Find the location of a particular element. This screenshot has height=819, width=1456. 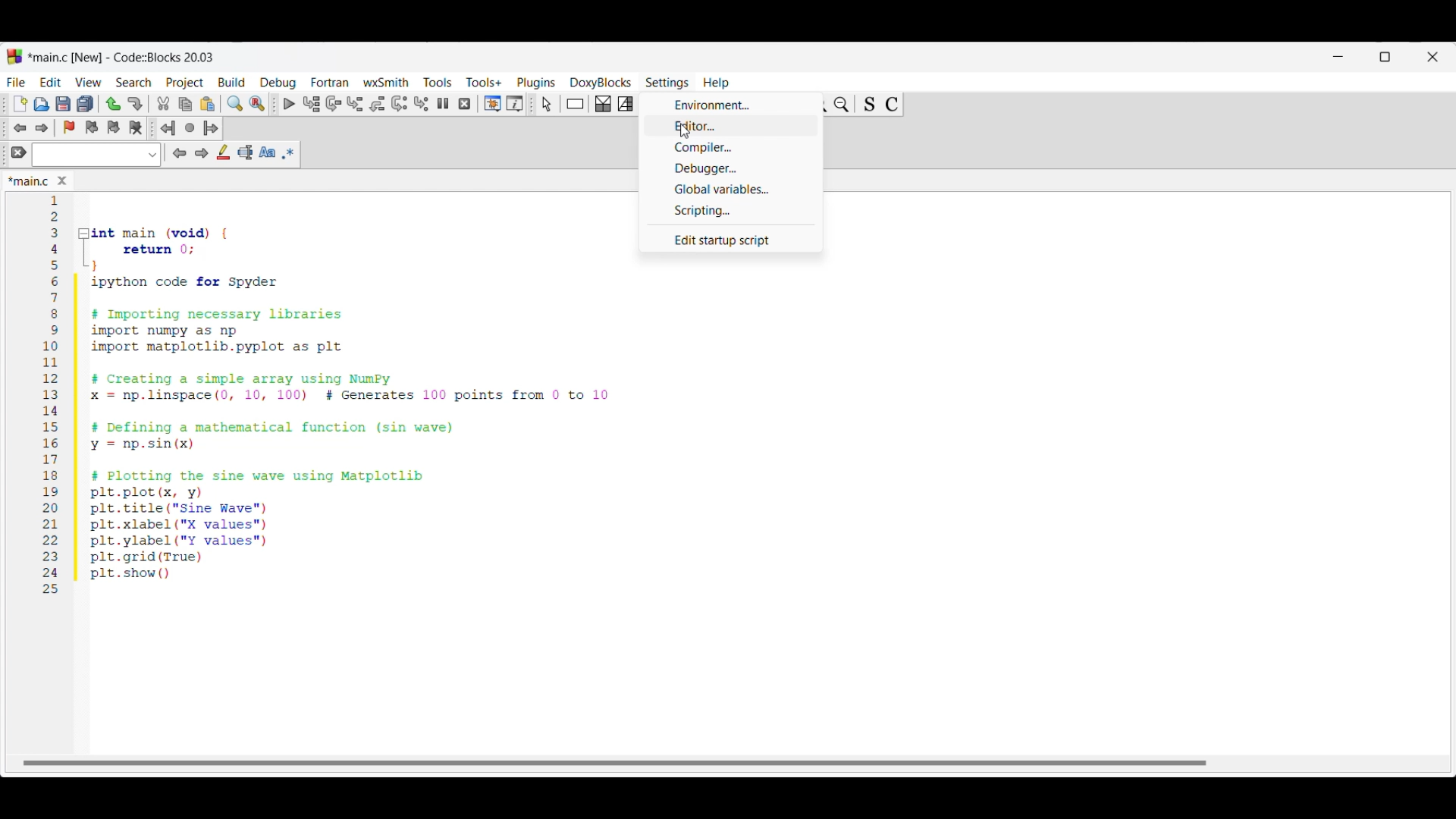

Close interface is located at coordinates (1432, 57).